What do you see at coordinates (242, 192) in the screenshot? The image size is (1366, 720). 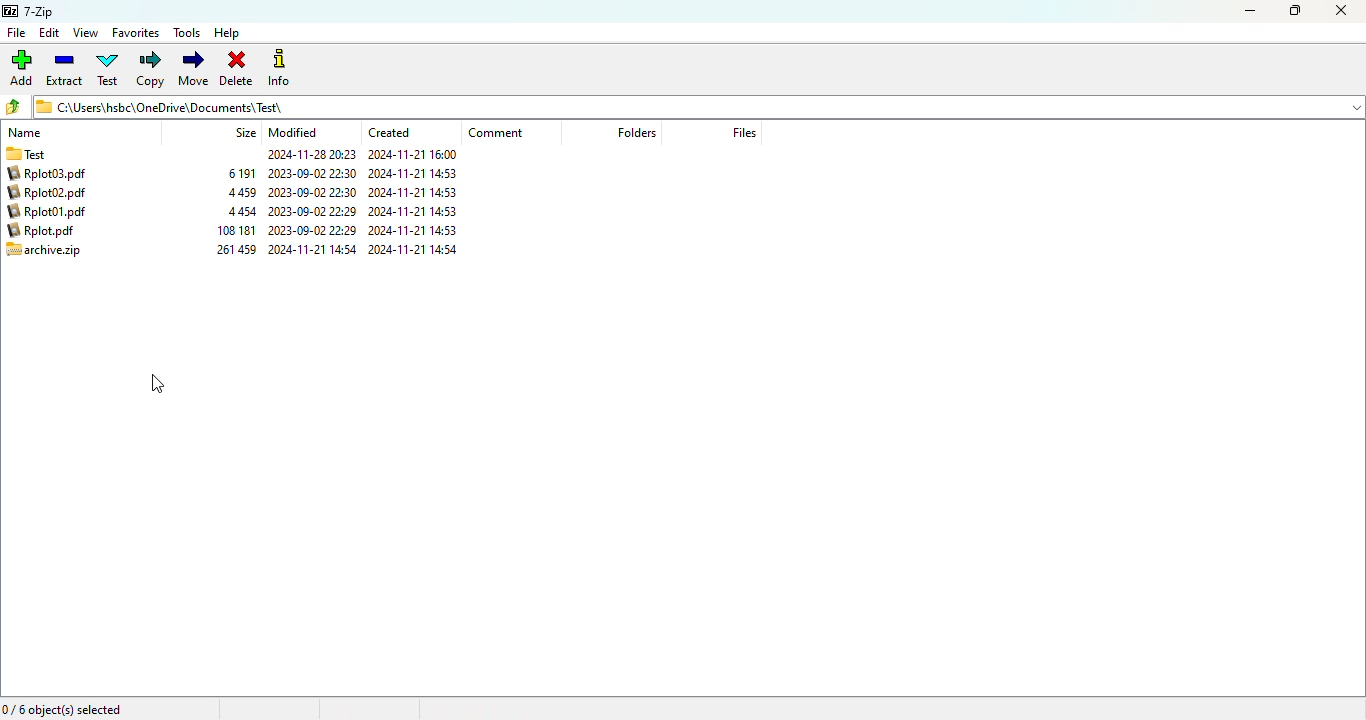 I see `6 191` at bounding box center [242, 192].